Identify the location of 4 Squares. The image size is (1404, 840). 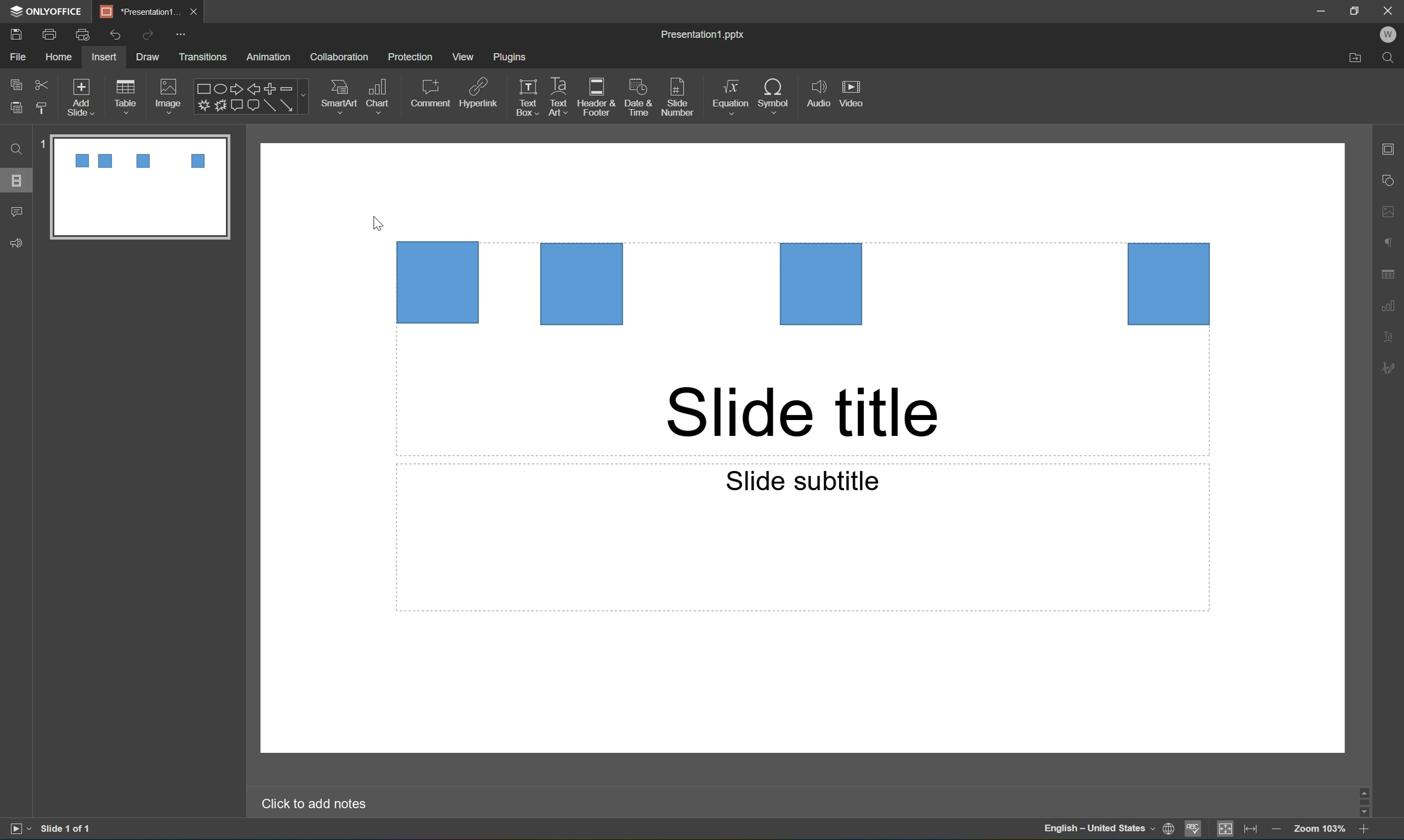
(804, 284).